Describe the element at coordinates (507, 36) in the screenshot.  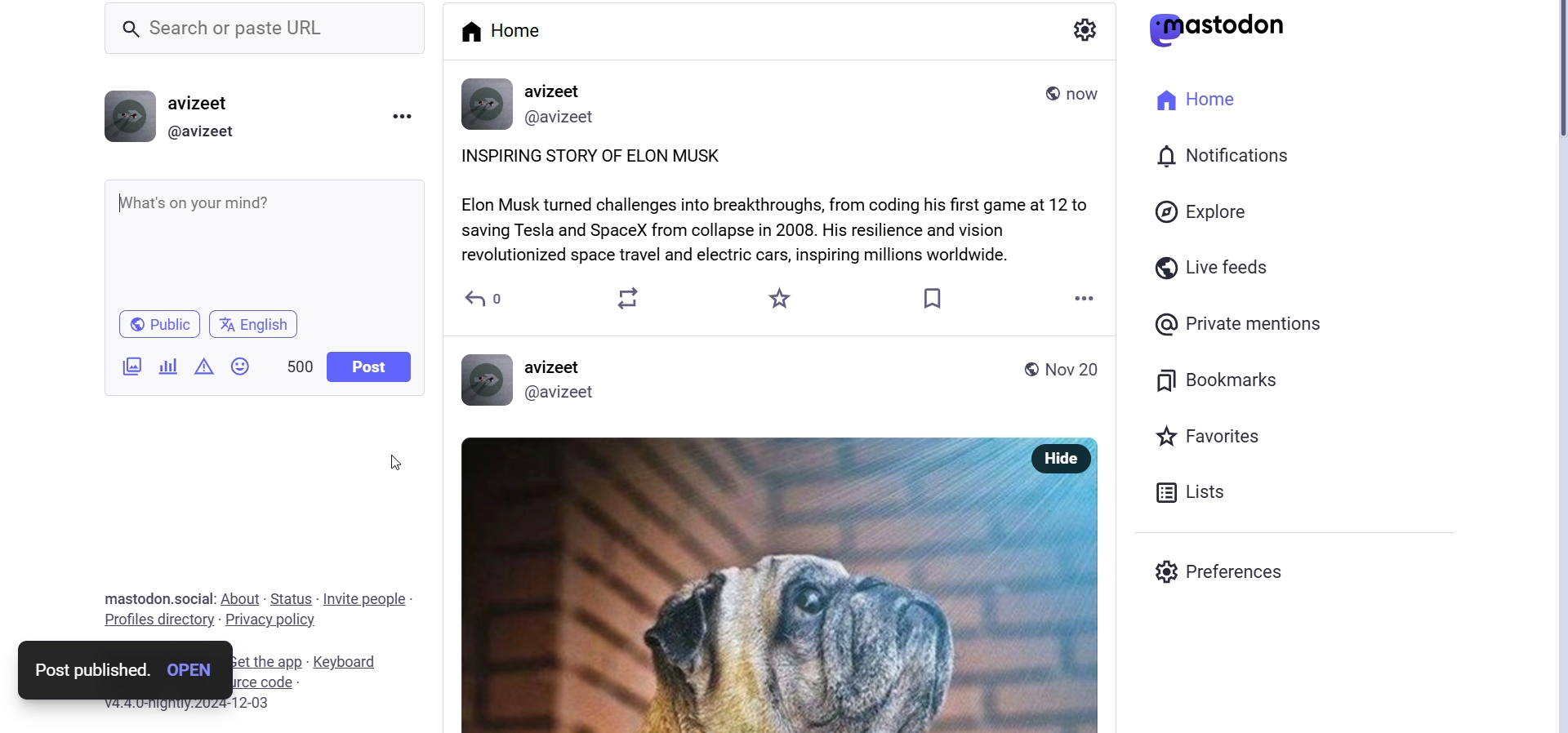
I see `home tab` at that location.